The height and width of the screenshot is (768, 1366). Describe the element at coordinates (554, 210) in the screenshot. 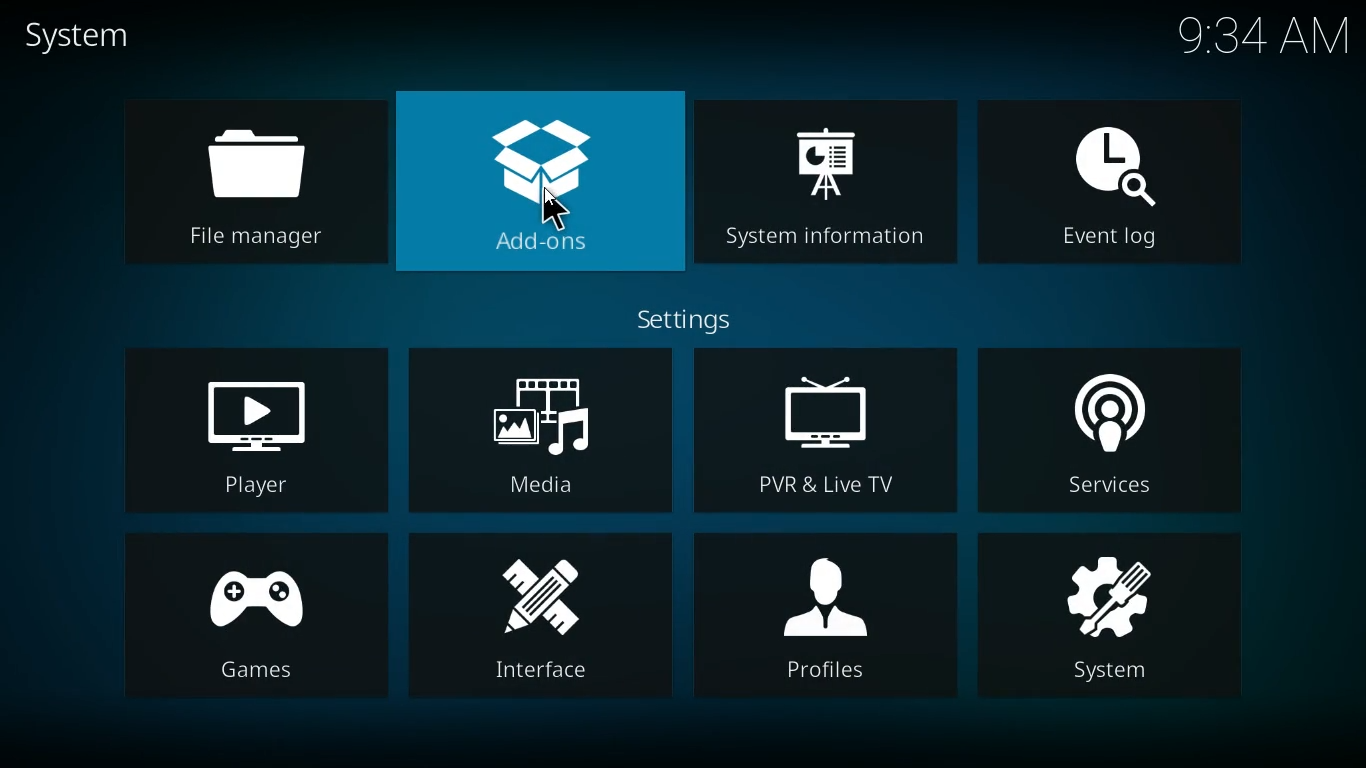

I see `Cursor` at that location.